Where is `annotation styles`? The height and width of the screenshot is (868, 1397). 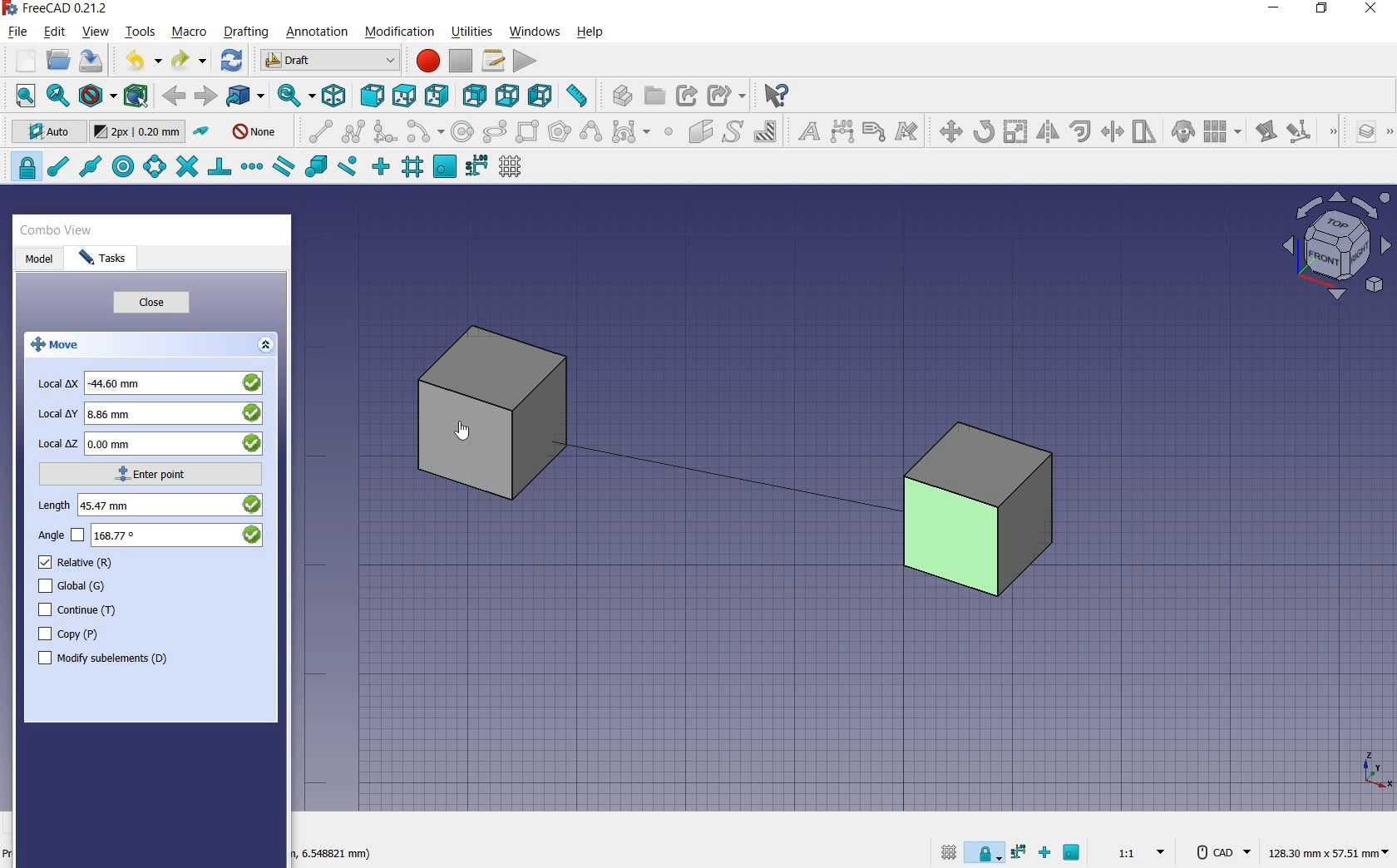 annotation styles is located at coordinates (908, 133).